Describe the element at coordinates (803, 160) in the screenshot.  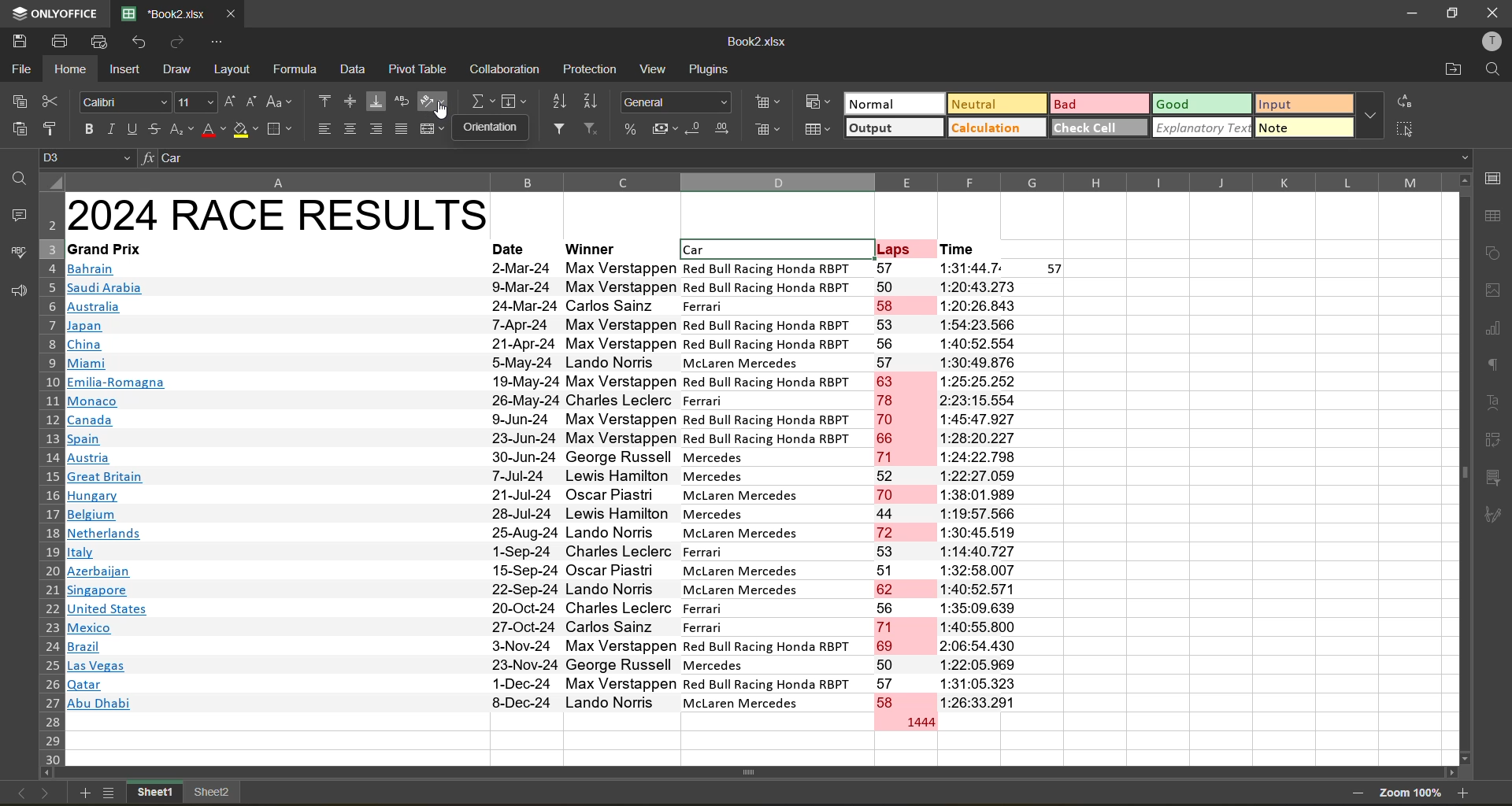
I see `formula bar` at that location.